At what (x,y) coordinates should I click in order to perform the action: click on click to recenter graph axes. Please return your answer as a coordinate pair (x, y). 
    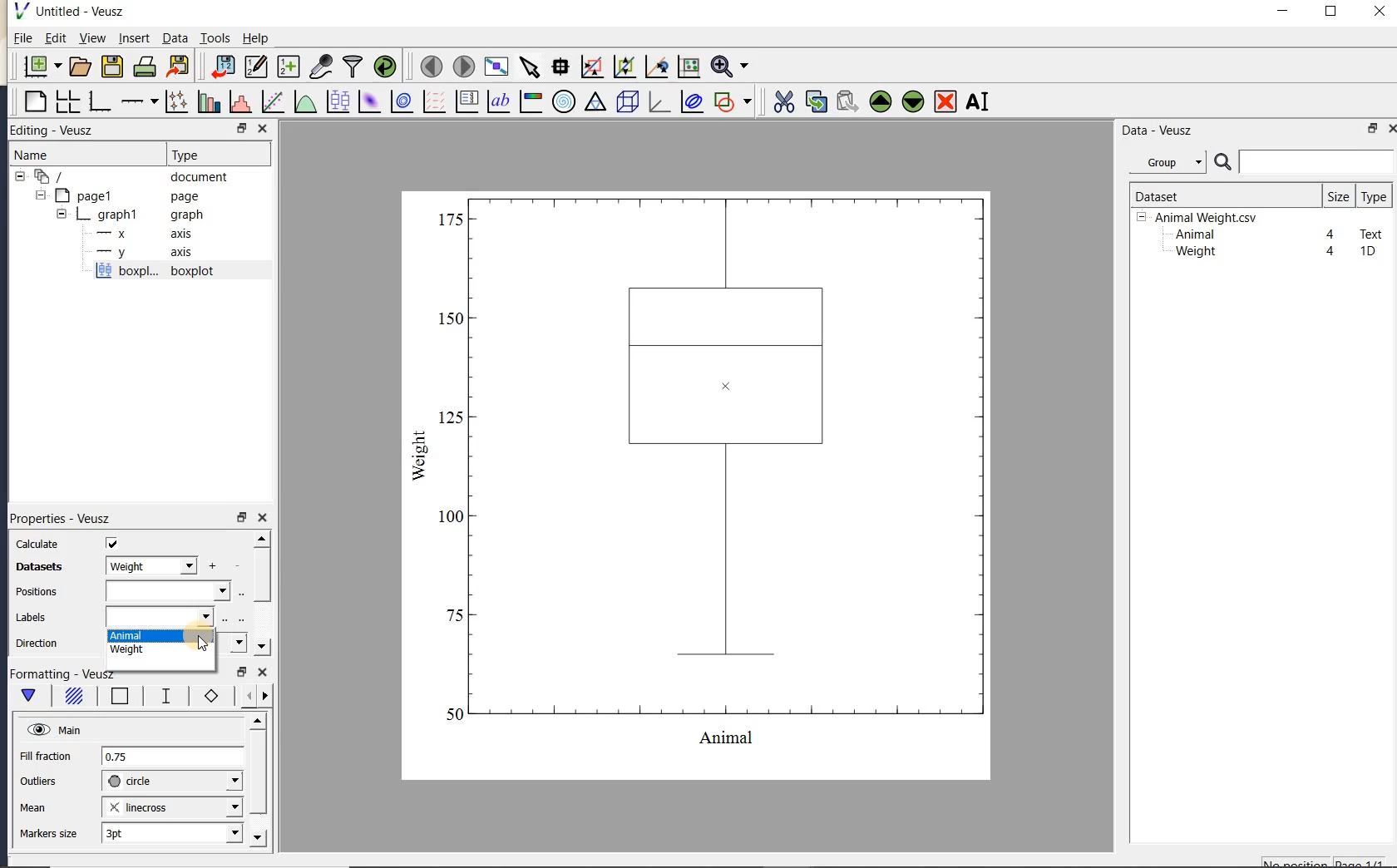
    Looking at the image, I should click on (657, 67).